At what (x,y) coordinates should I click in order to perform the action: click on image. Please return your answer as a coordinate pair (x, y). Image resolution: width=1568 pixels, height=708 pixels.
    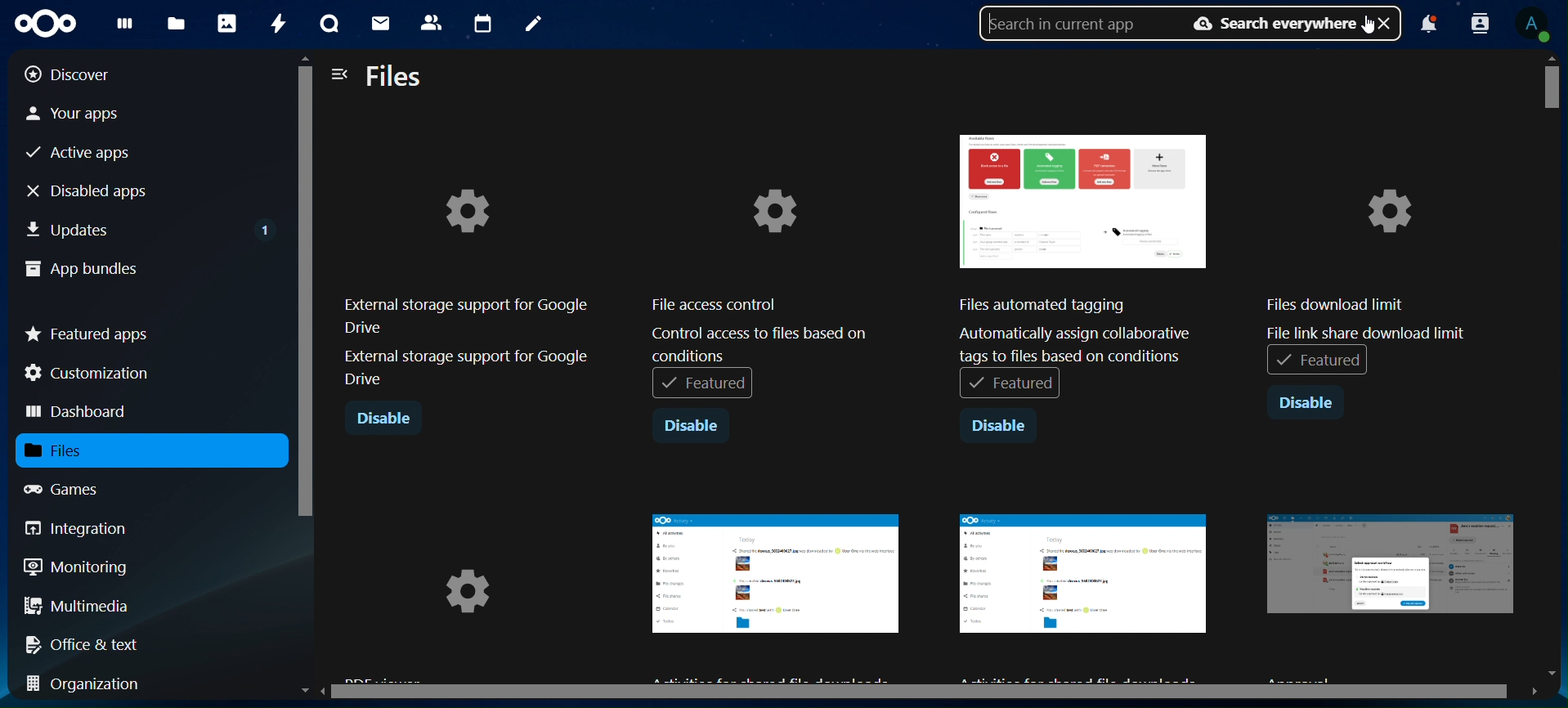
    Looking at the image, I should click on (775, 589).